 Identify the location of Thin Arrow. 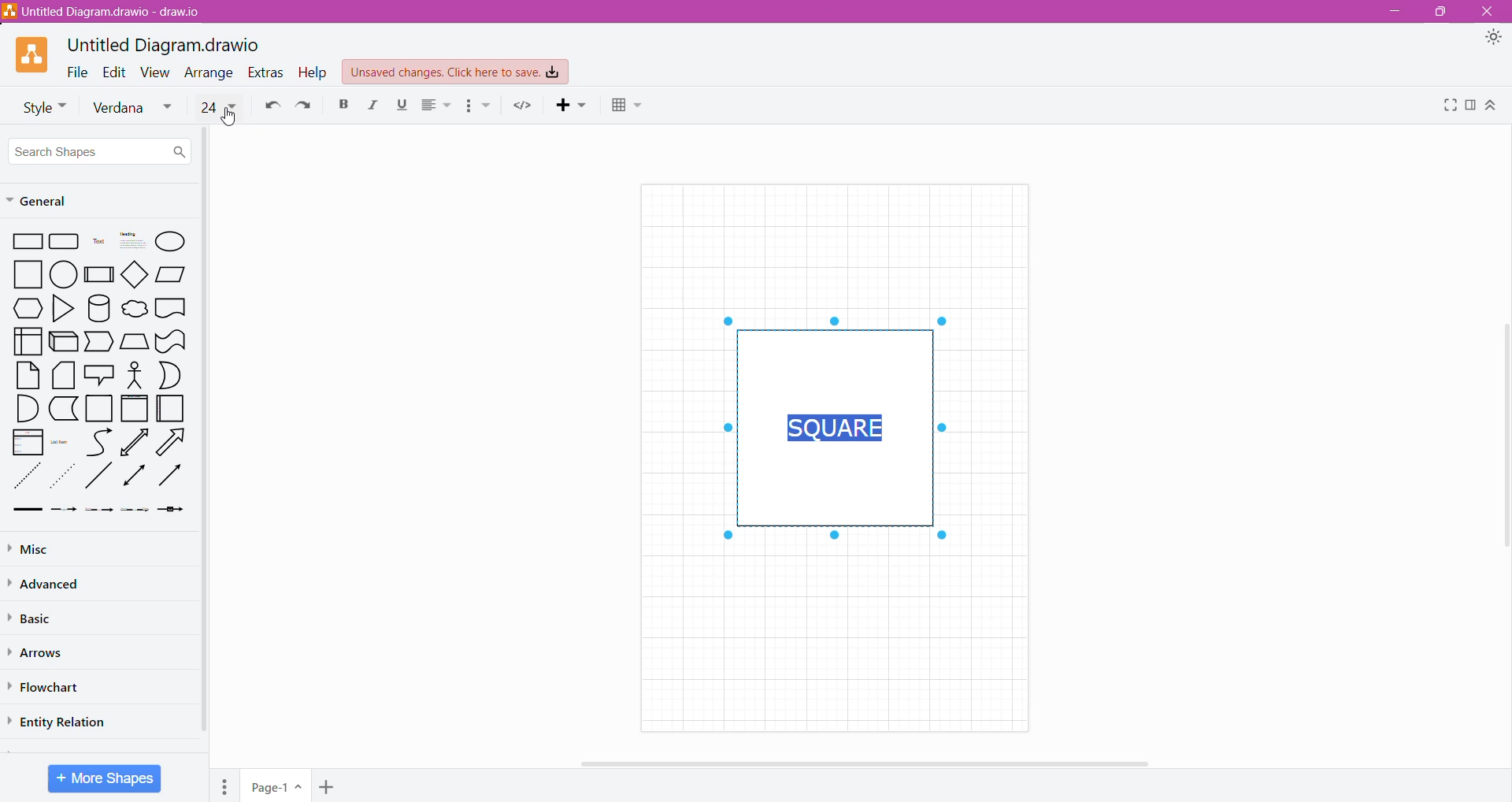
(100, 512).